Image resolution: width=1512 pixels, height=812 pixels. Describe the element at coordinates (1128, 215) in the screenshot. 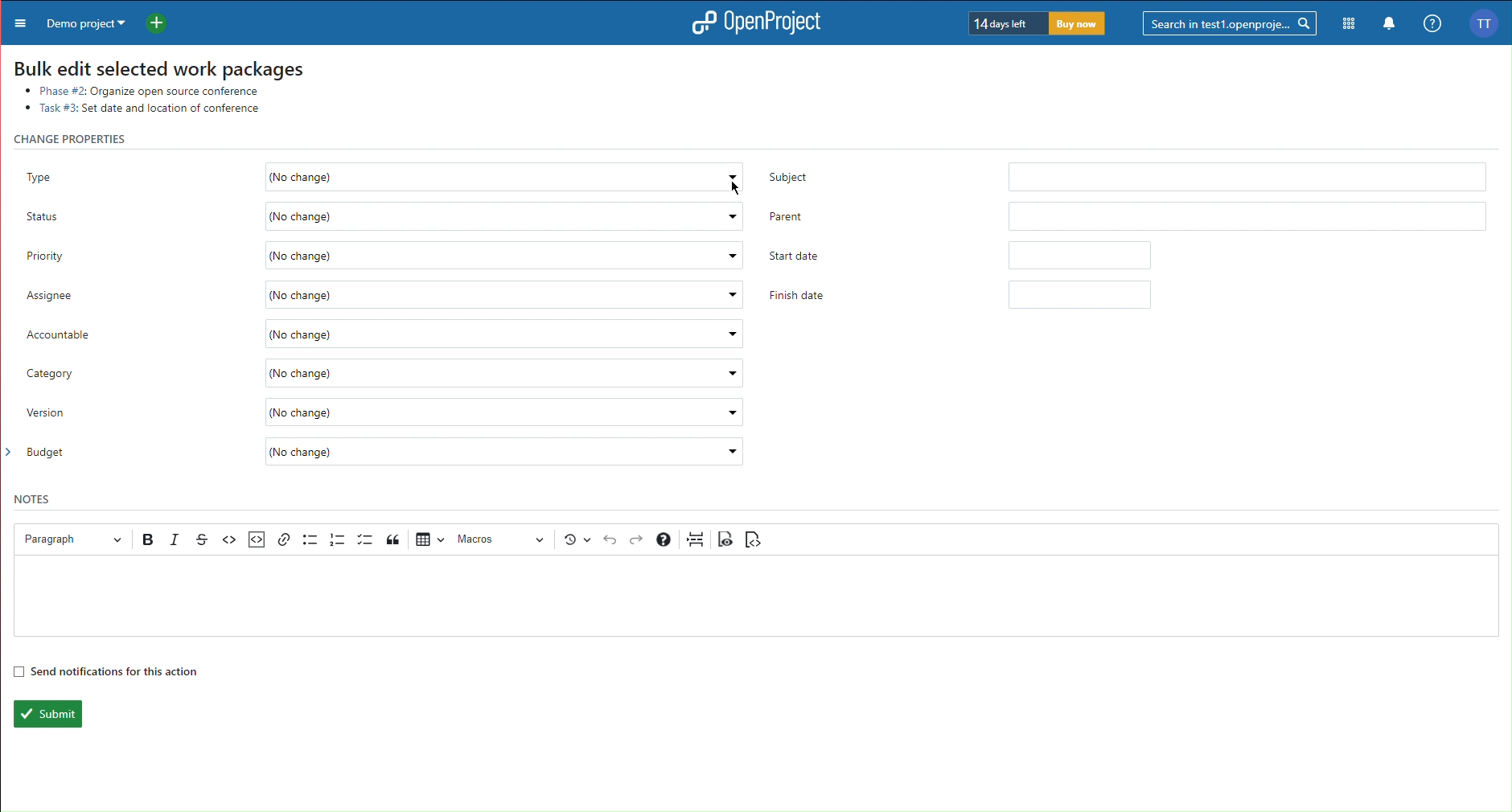

I see `Parent` at that location.